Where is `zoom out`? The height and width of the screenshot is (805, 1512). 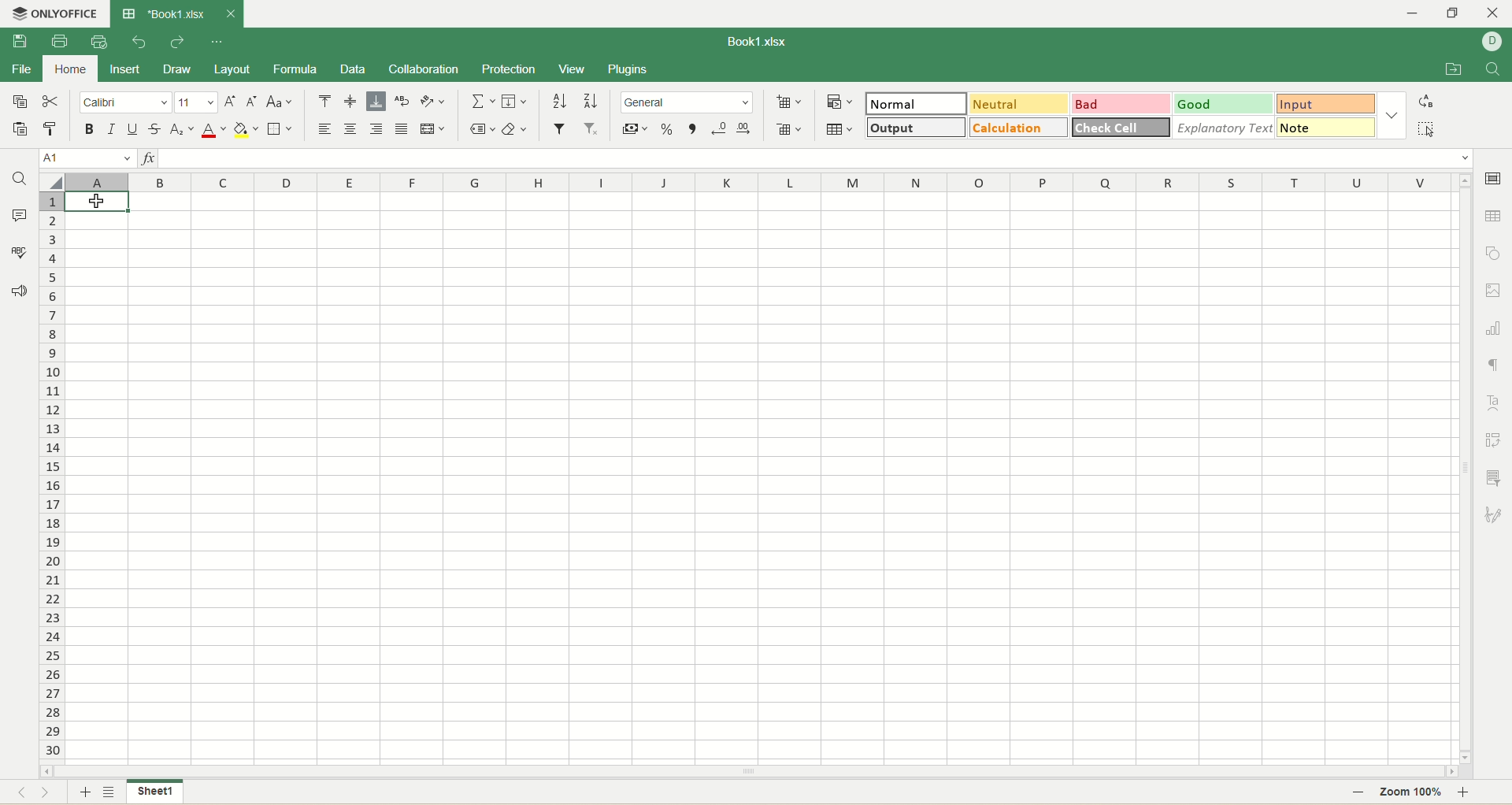
zoom out is located at coordinates (1358, 793).